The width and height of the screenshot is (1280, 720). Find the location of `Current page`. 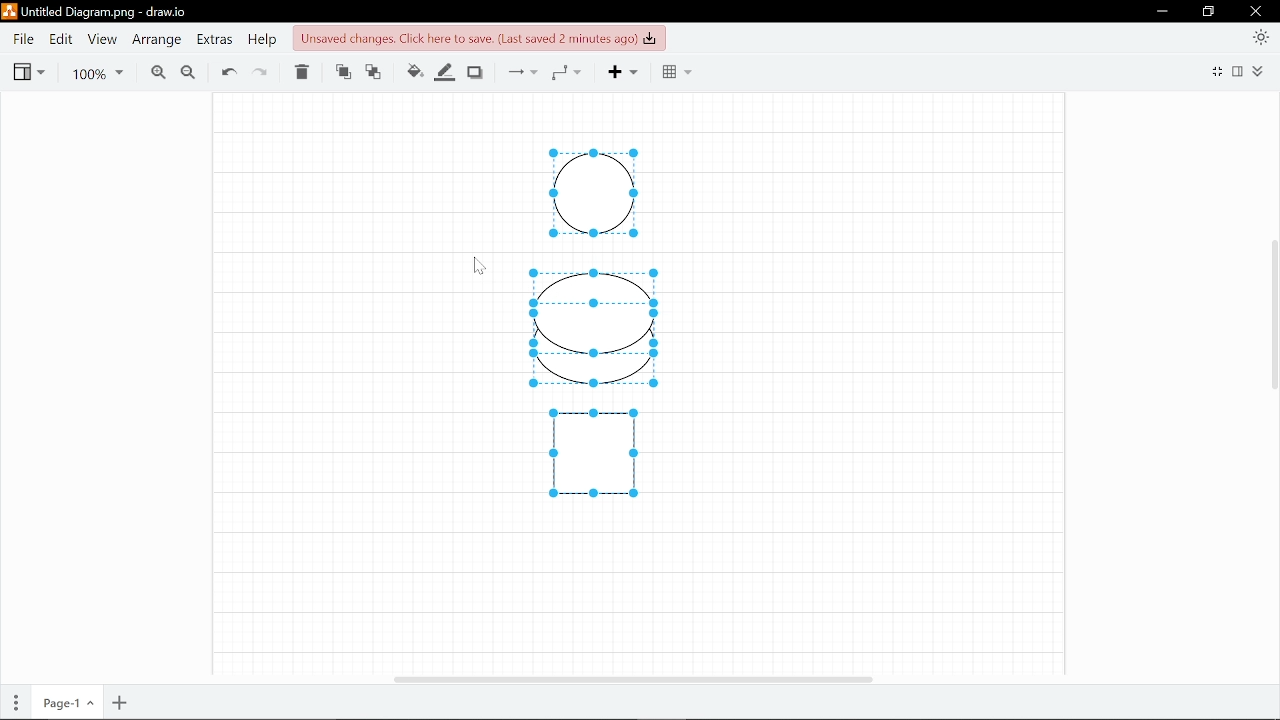

Current page is located at coordinates (65, 704).